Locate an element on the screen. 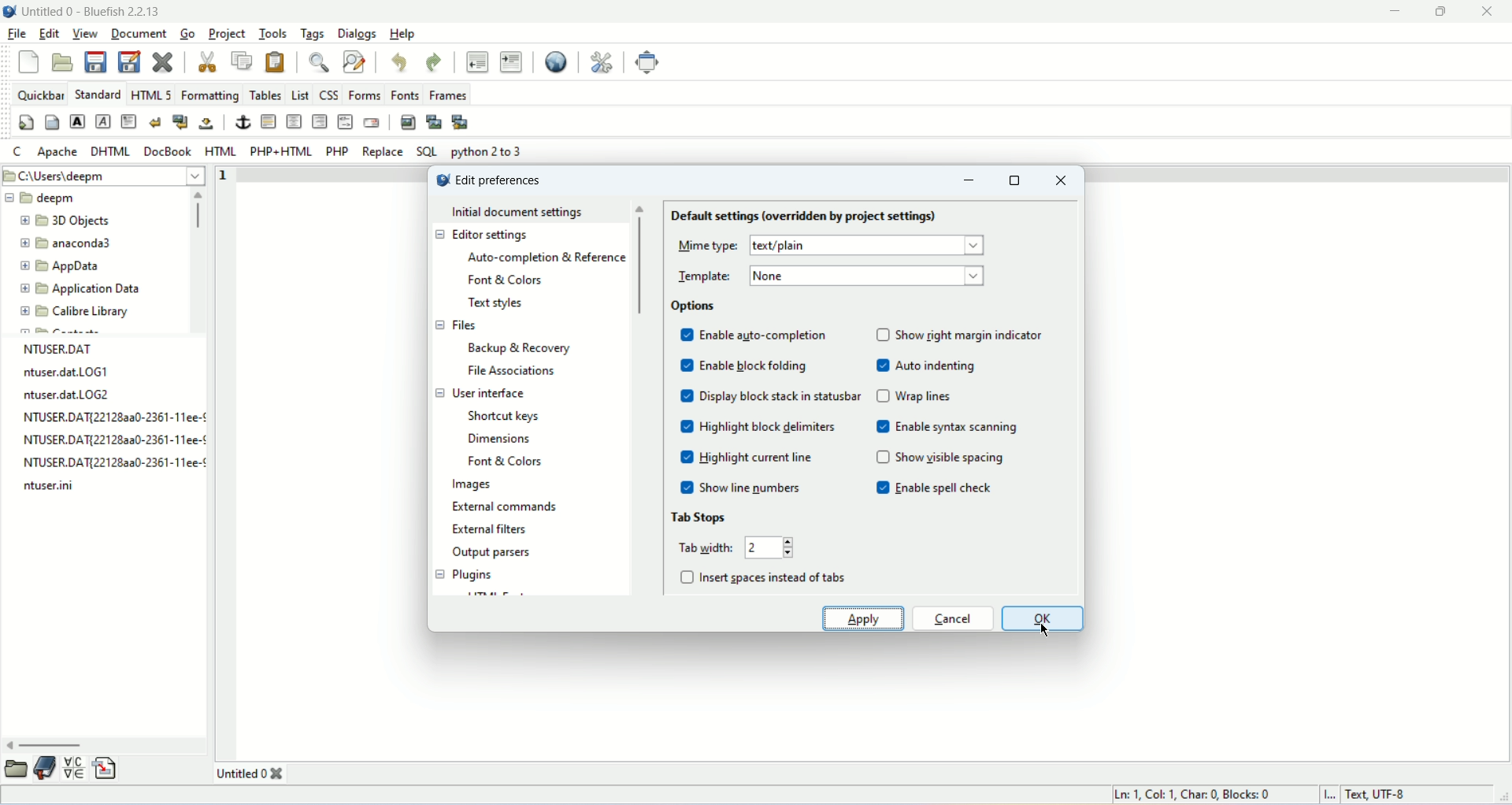 The image size is (1512, 805). non breaking space is located at coordinates (207, 123).